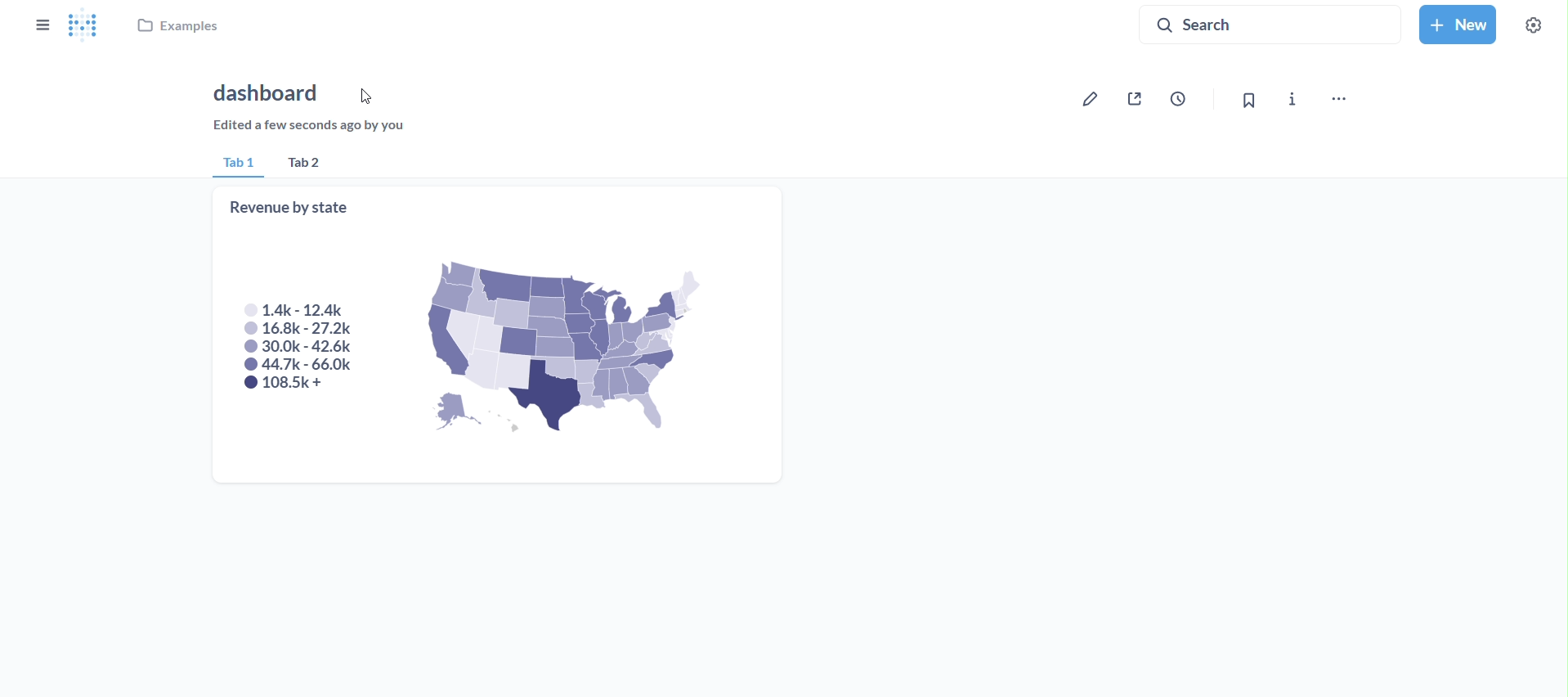 This screenshot has height=697, width=1568. What do you see at coordinates (267, 92) in the screenshot?
I see `dashboard` at bounding box center [267, 92].